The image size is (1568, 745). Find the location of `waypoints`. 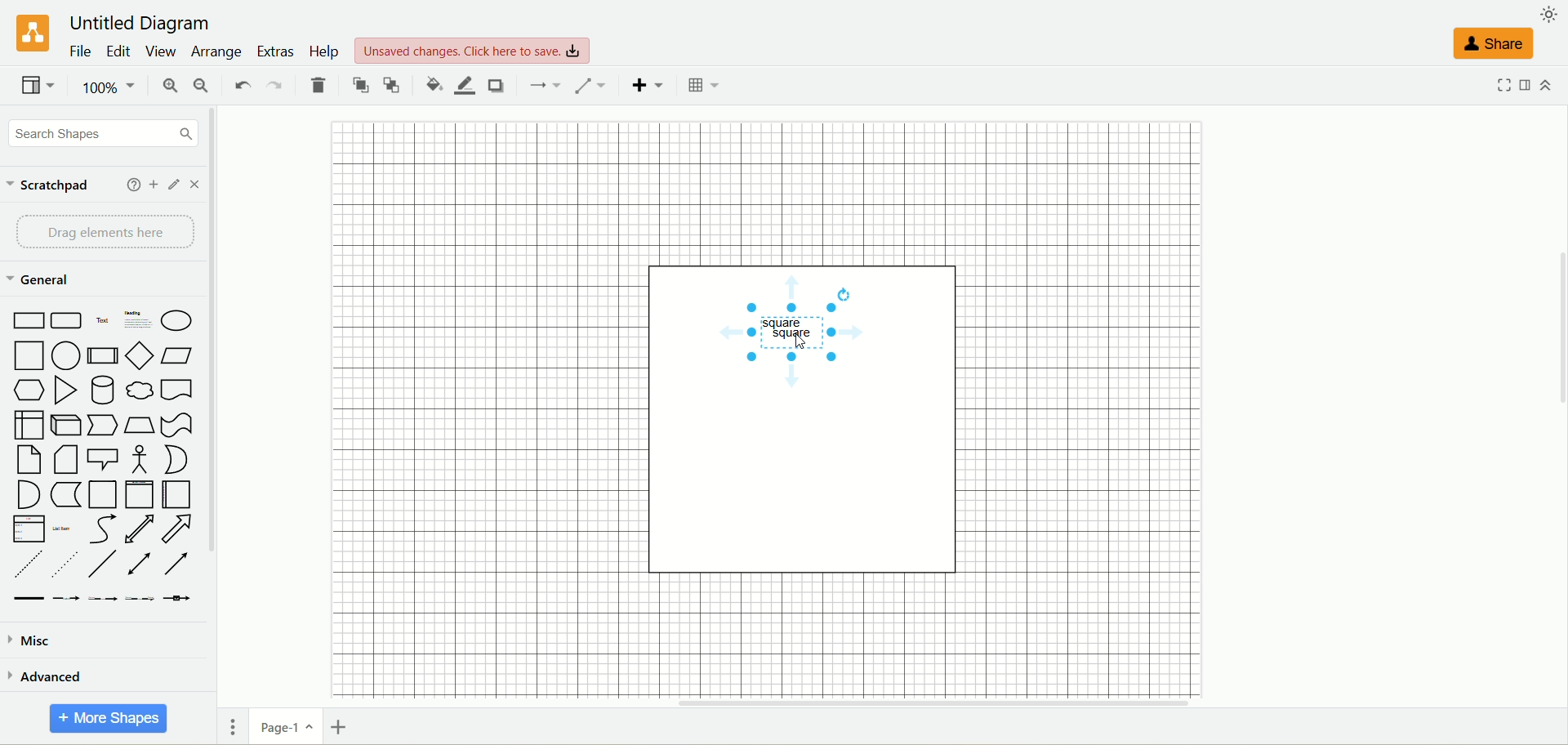

waypoints is located at coordinates (596, 87).